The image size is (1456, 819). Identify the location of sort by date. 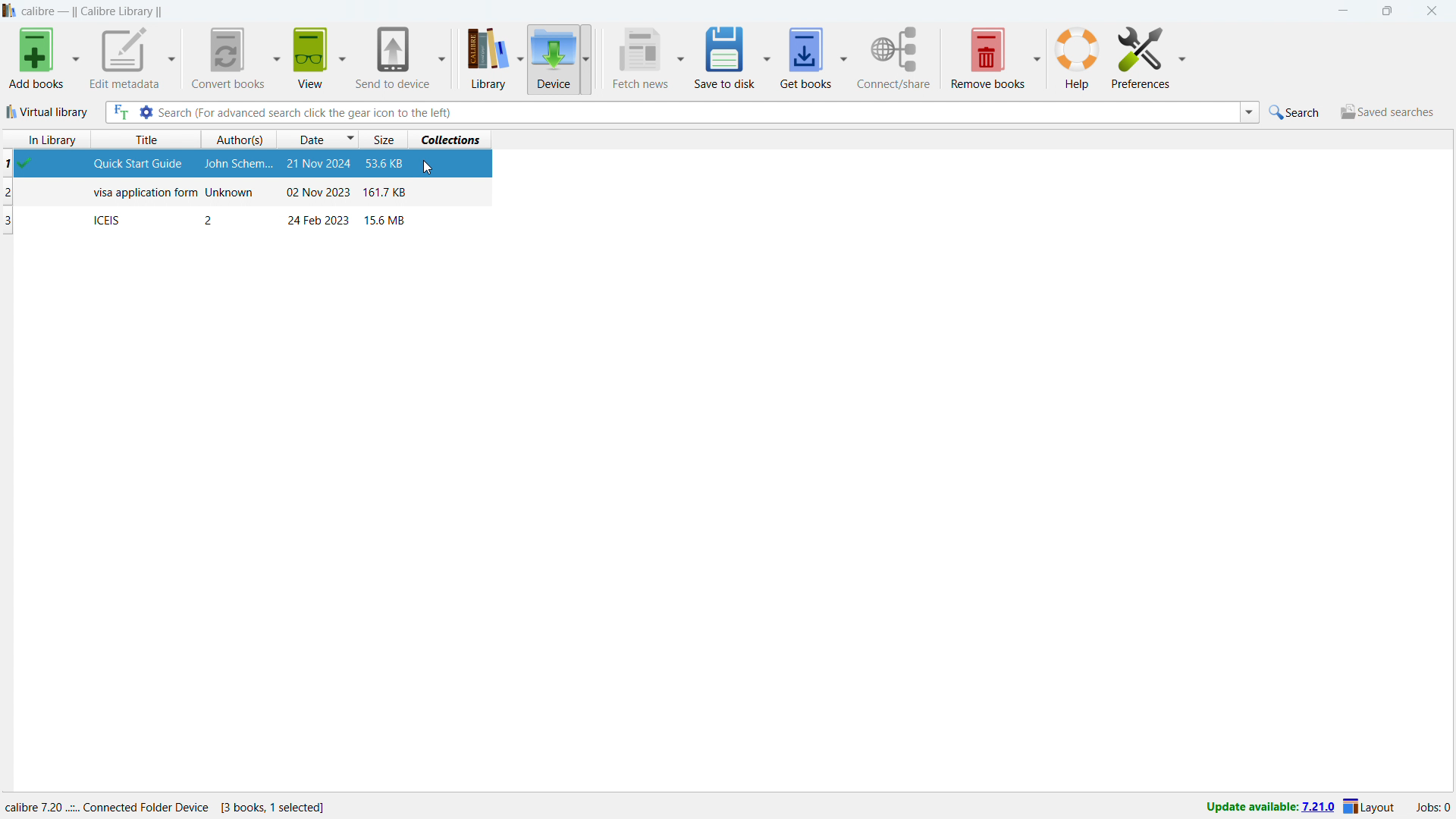
(318, 139).